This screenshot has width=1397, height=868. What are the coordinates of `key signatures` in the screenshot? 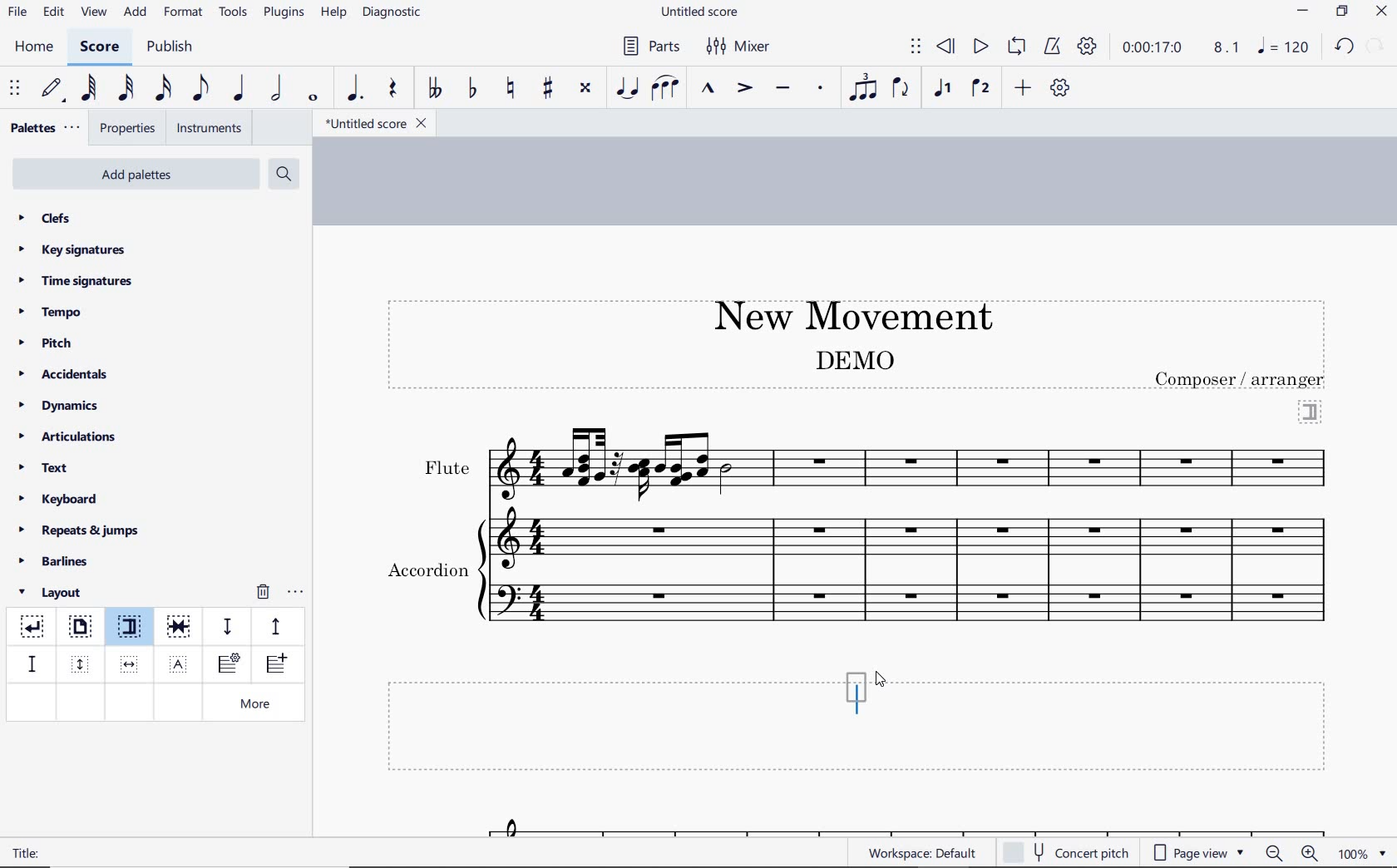 It's located at (71, 249).